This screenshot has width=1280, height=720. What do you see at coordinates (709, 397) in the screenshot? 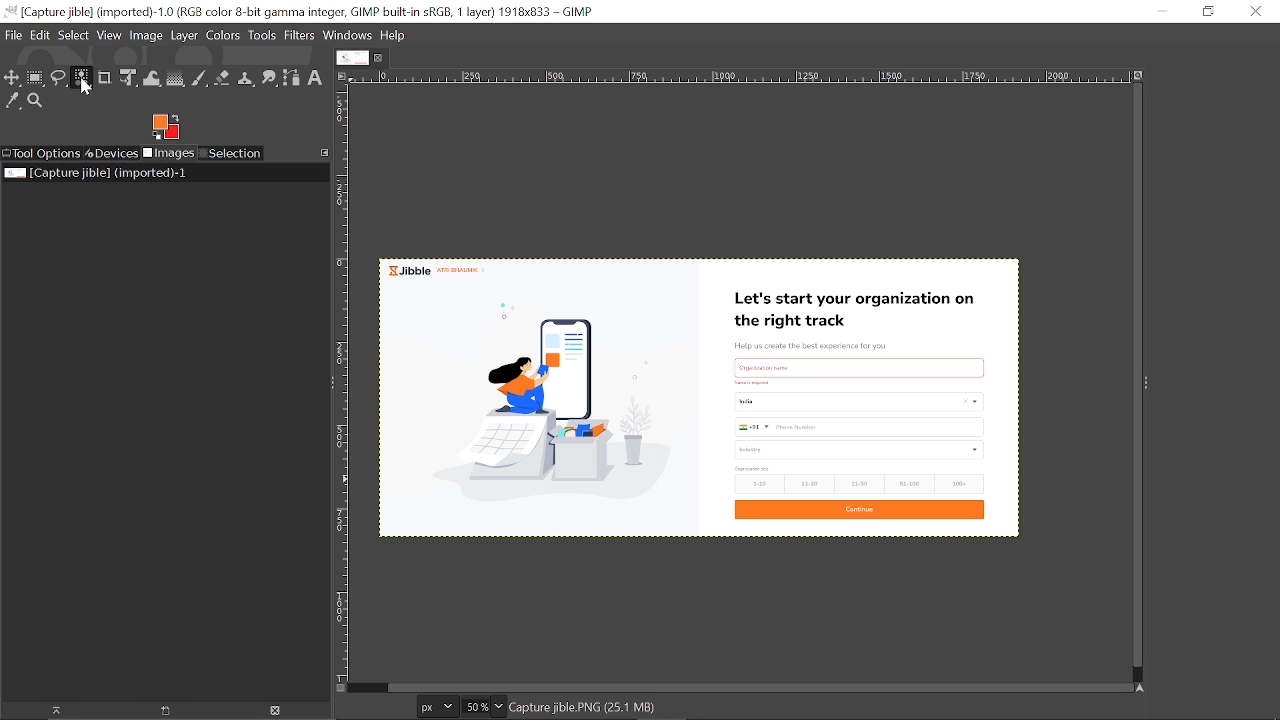
I see `Current image` at bounding box center [709, 397].